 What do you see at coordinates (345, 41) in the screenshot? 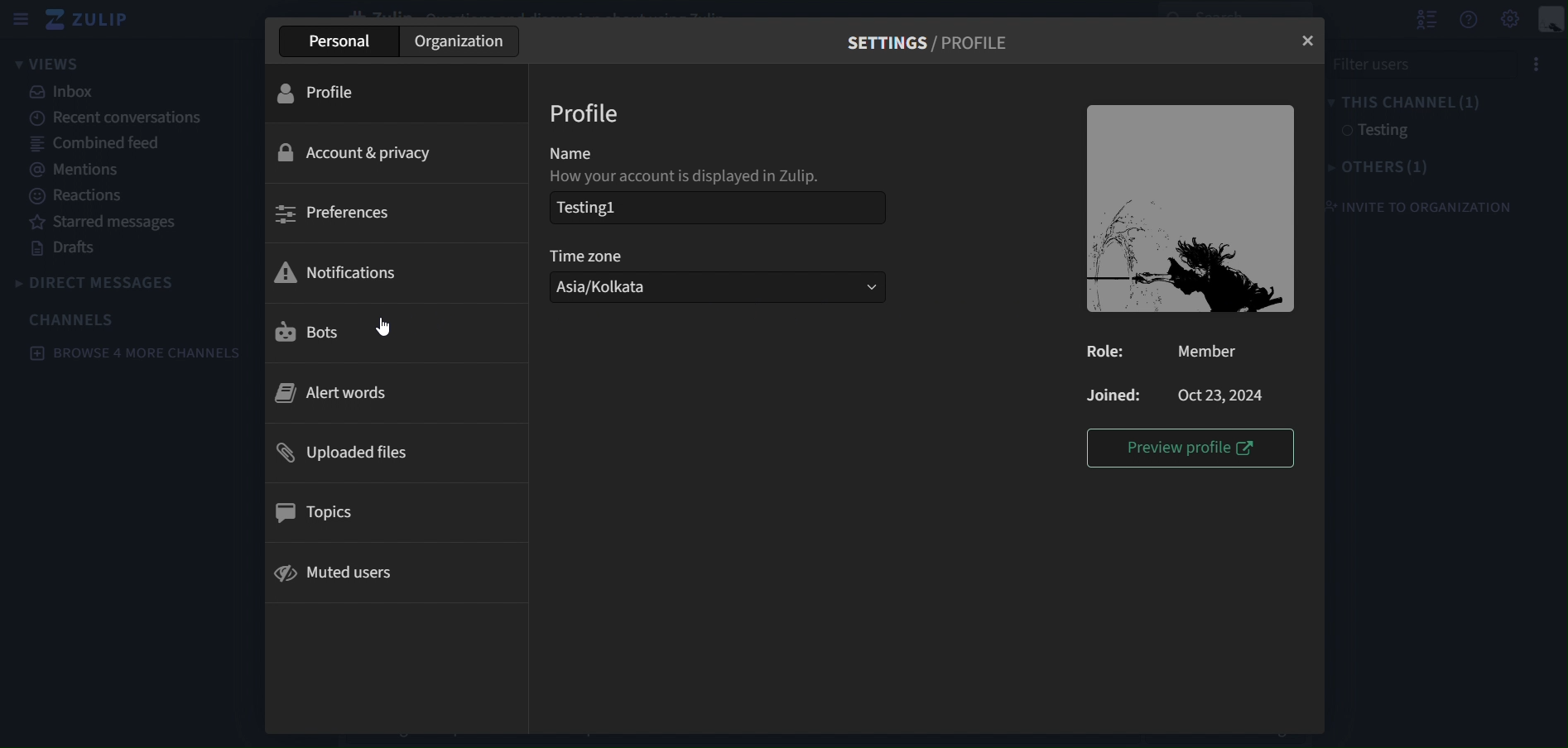
I see `personal` at bounding box center [345, 41].